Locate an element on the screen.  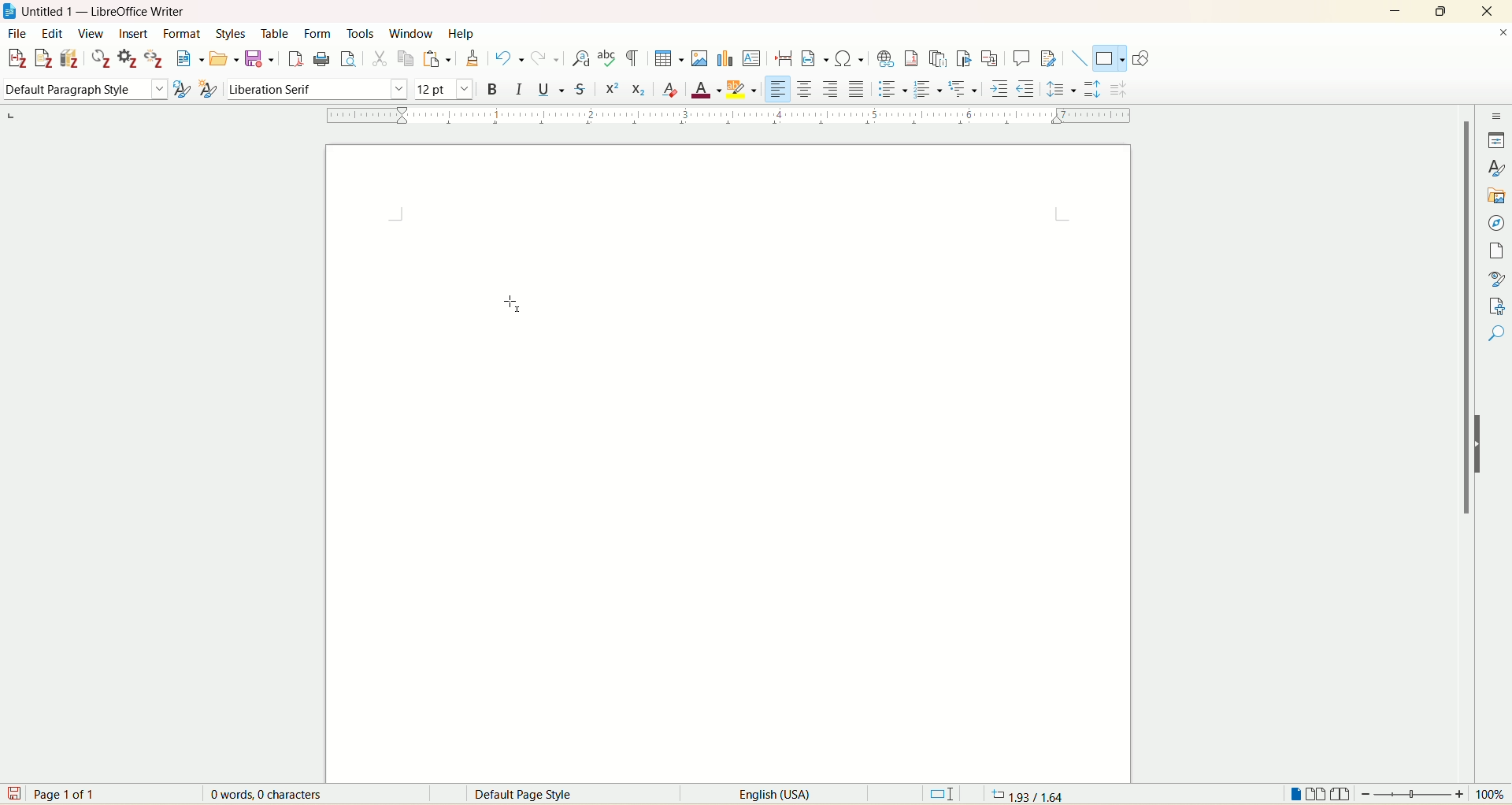
print is located at coordinates (321, 59).